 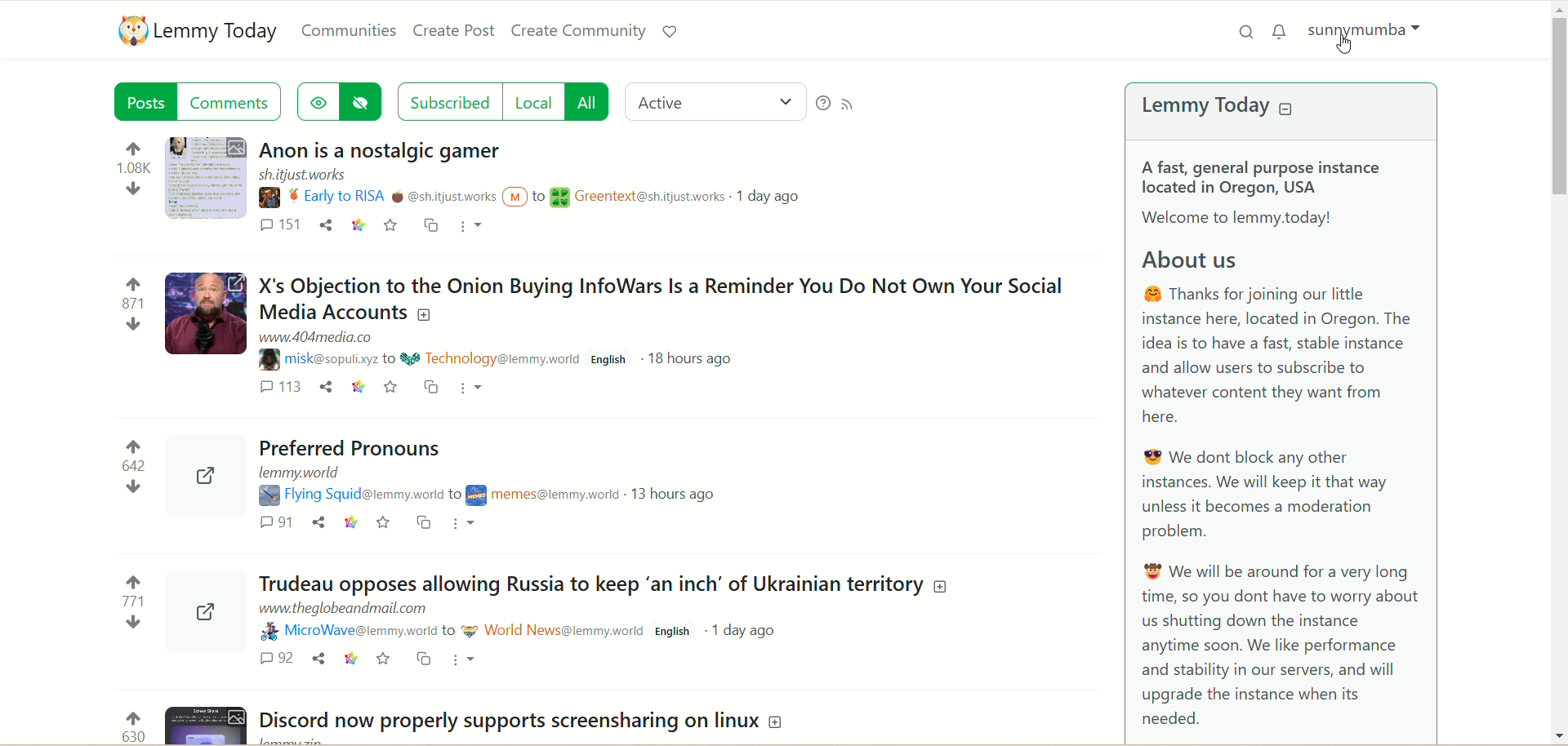 I want to click on URL, so click(x=314, y=335).